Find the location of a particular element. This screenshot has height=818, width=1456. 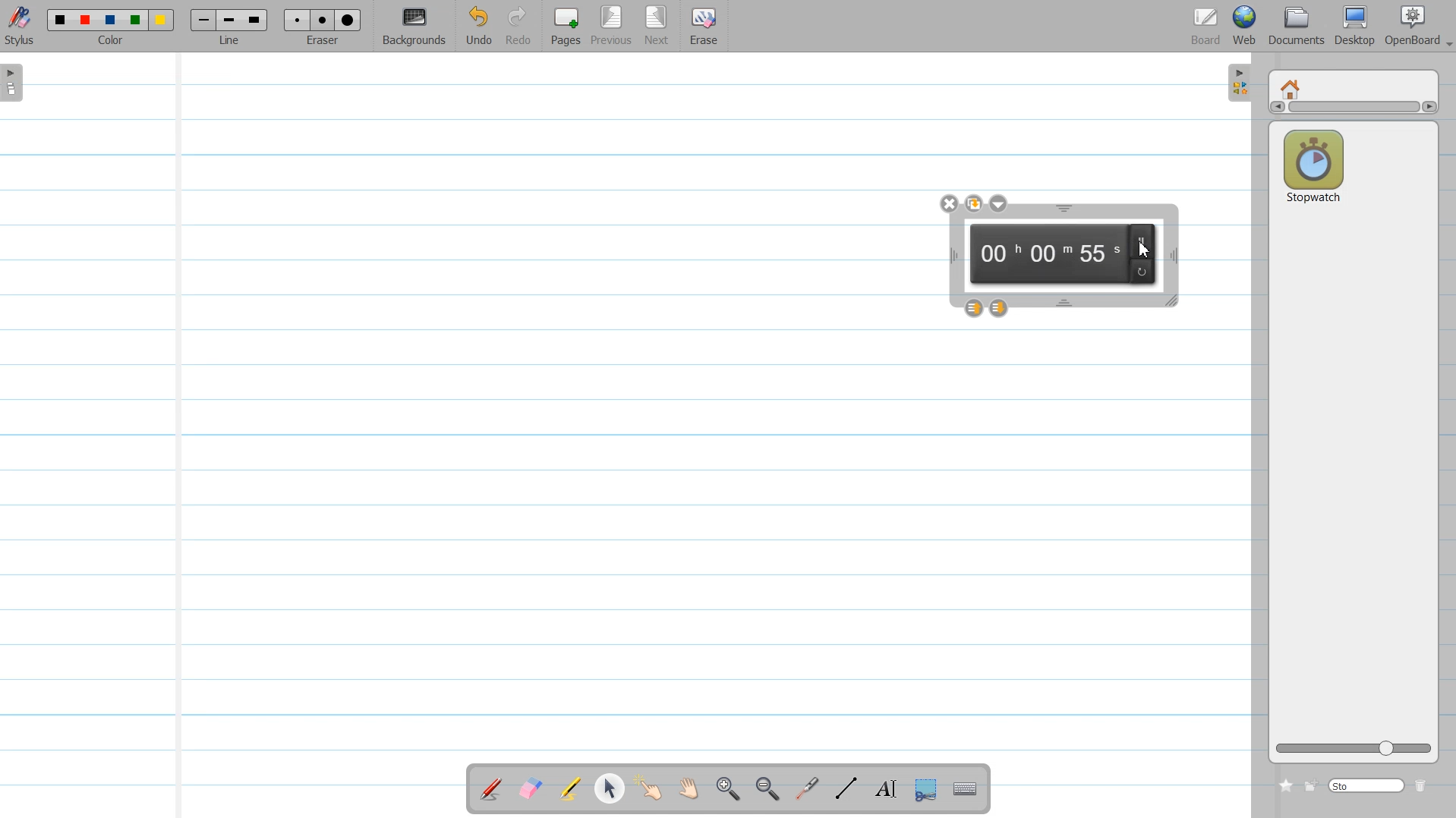

OpenBoard is located at coordinates (1409, 26).